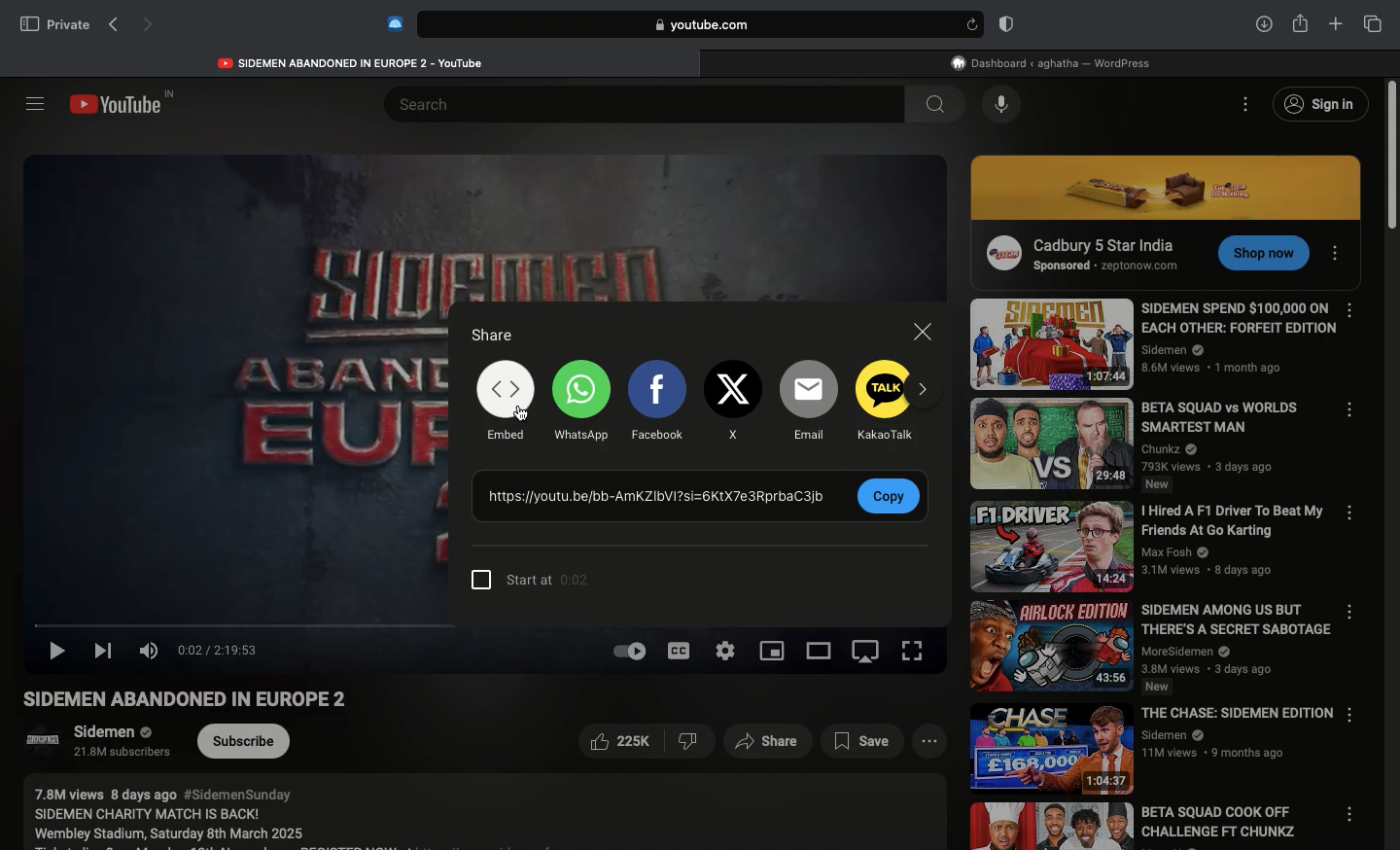  What do you see at coordinates (1002, 105) in the screenshot?
I see `Voice dictation` at bounding box center [1002, 105].